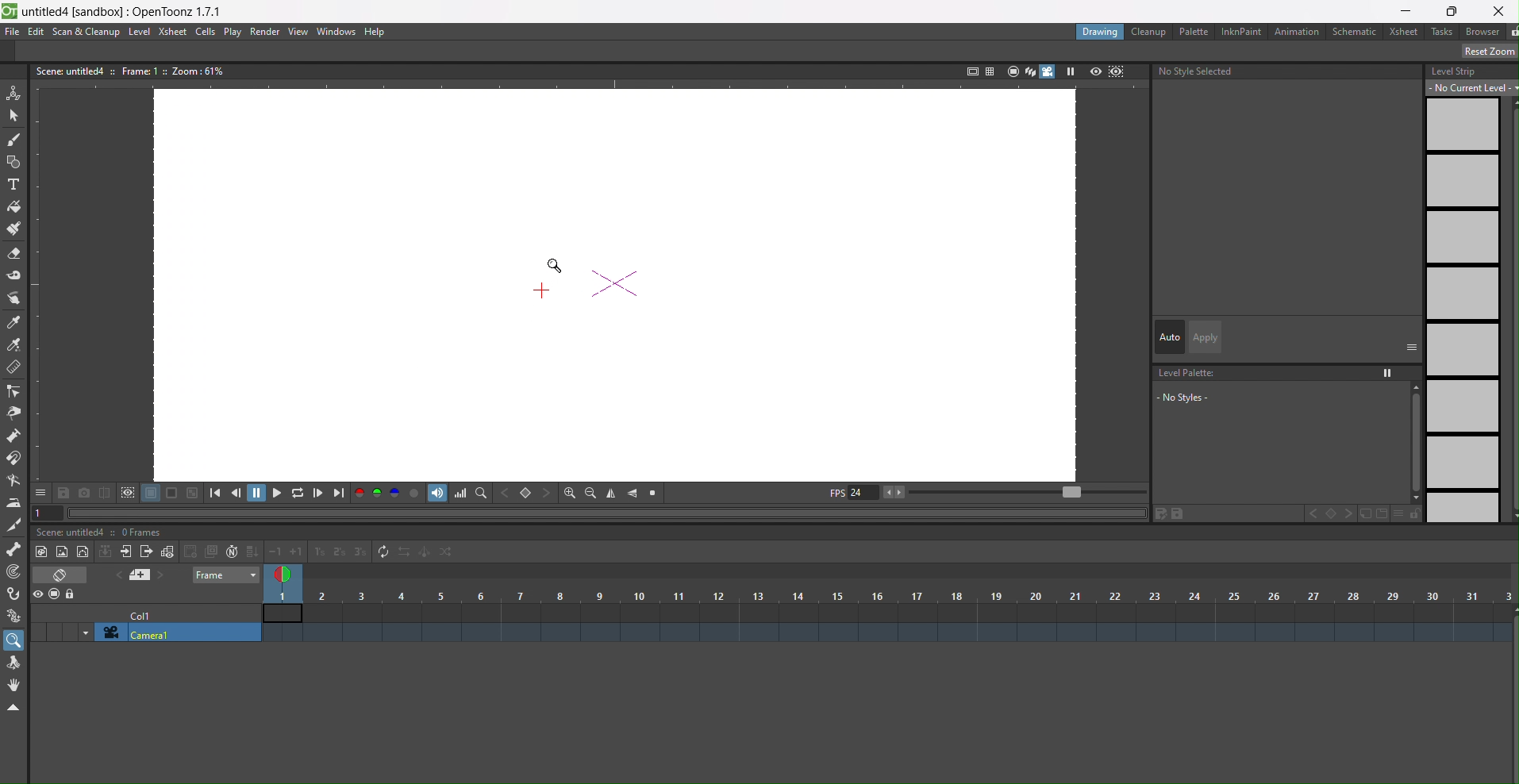 The width and height of the screenshot is (1519, 784). I want to click on play, so click(234, 33).